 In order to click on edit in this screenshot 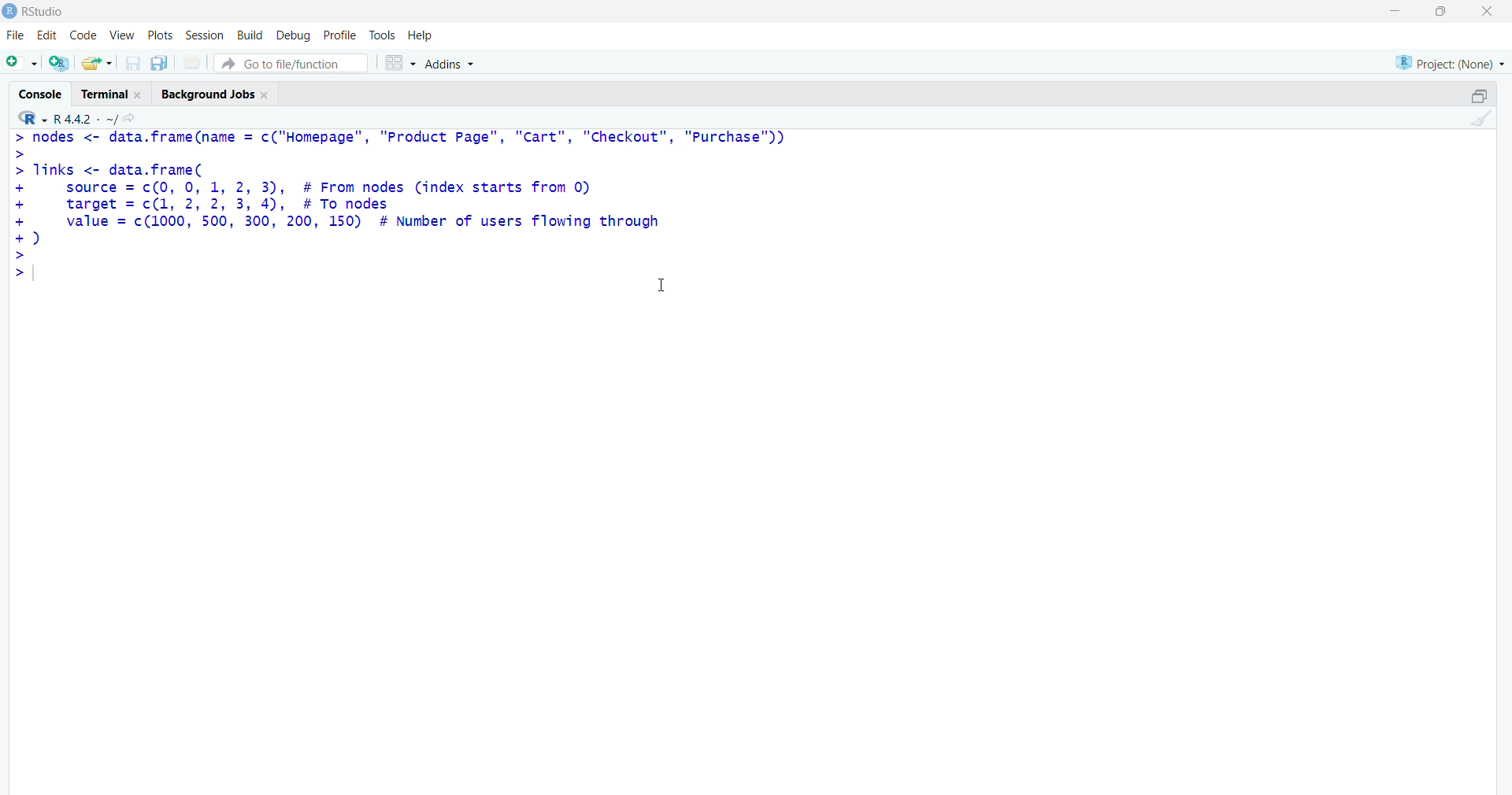, I will do `click(46, 35)`.